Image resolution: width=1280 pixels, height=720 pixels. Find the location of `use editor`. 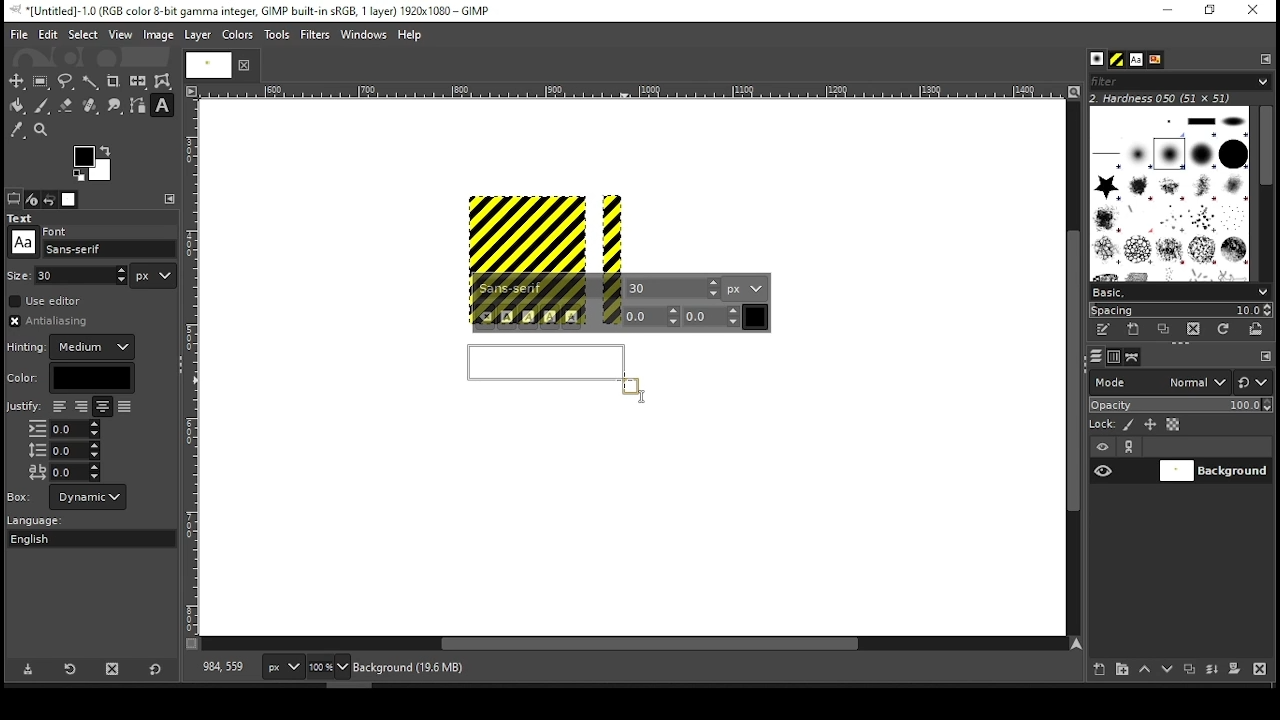

use editor is located at coordinates (47, 301).